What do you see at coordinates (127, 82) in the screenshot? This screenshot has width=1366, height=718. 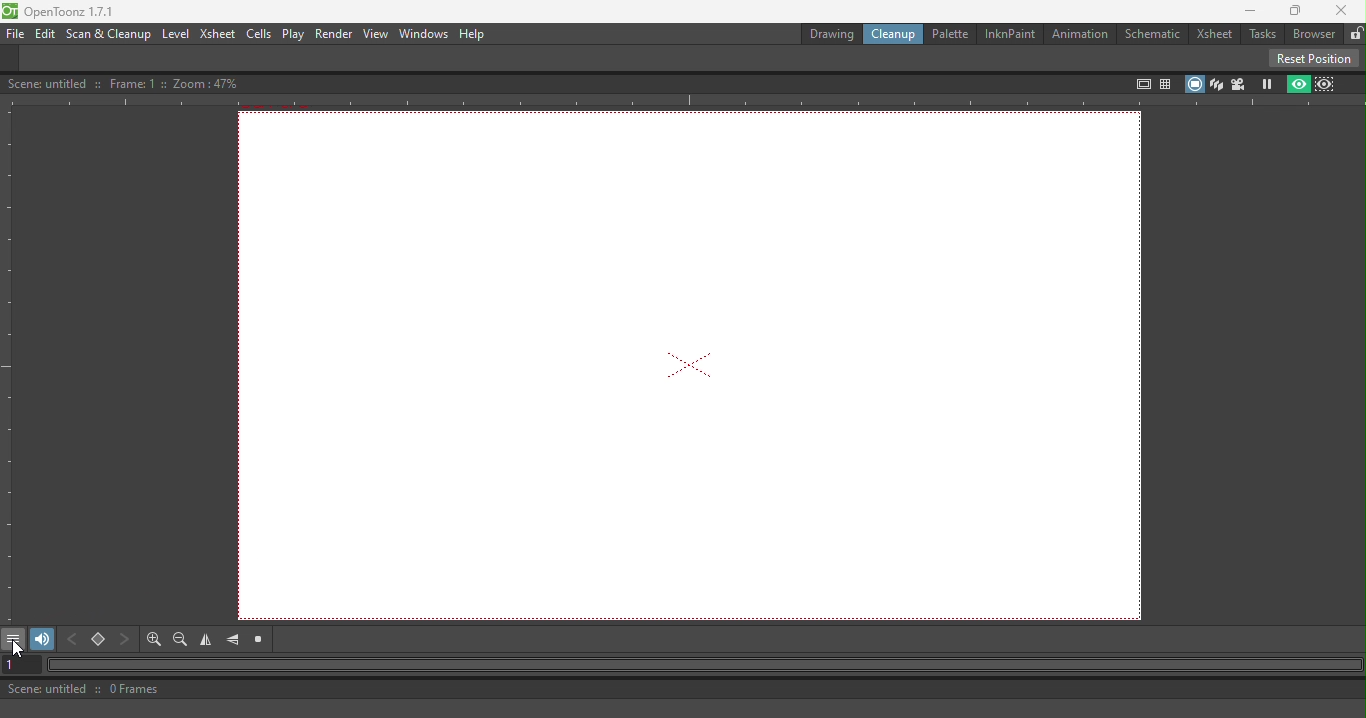 I see `Canvas details` at bounding box center [127, 82].